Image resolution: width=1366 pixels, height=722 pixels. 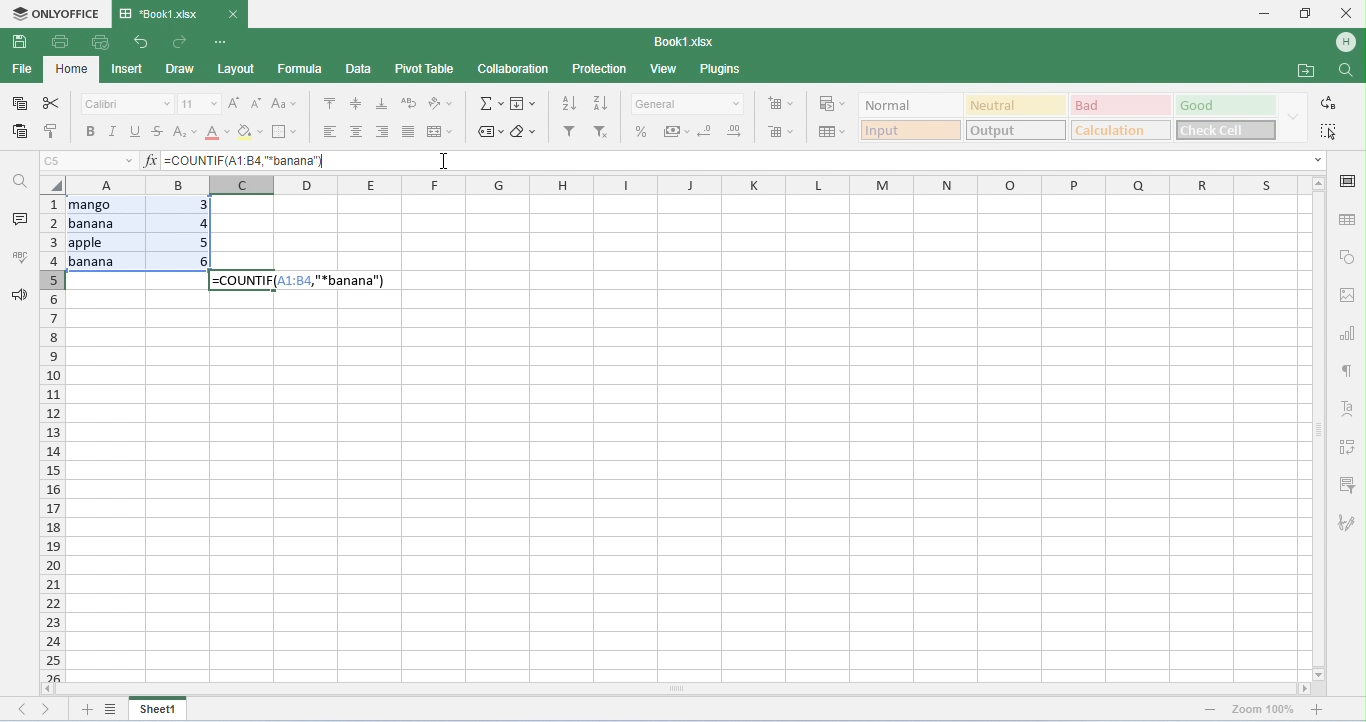 I want to click on account, so click(x=1346, y=43).